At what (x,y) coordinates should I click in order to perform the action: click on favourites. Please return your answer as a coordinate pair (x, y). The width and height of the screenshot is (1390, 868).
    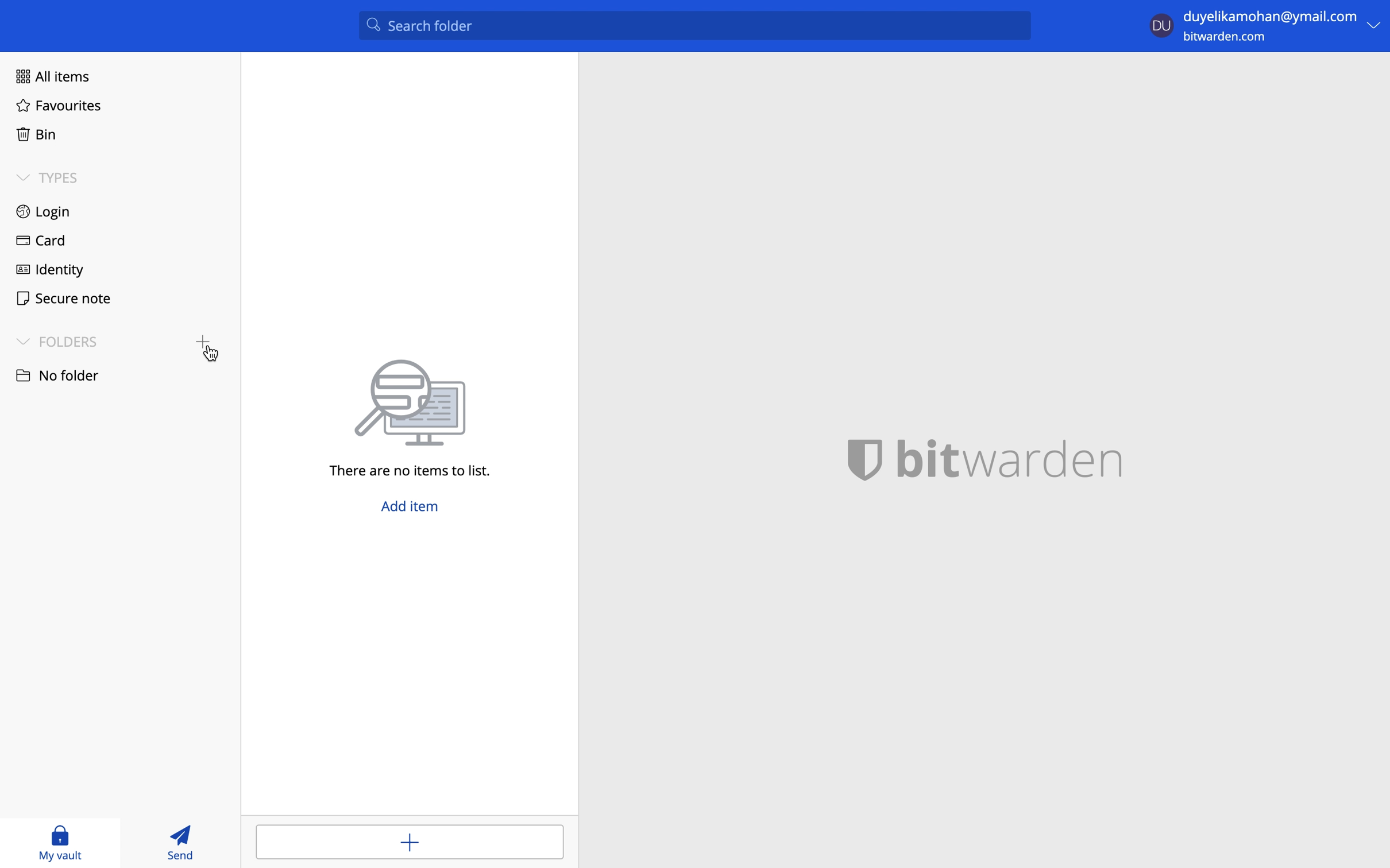
    Looking at the image, I should click on (59, 107).